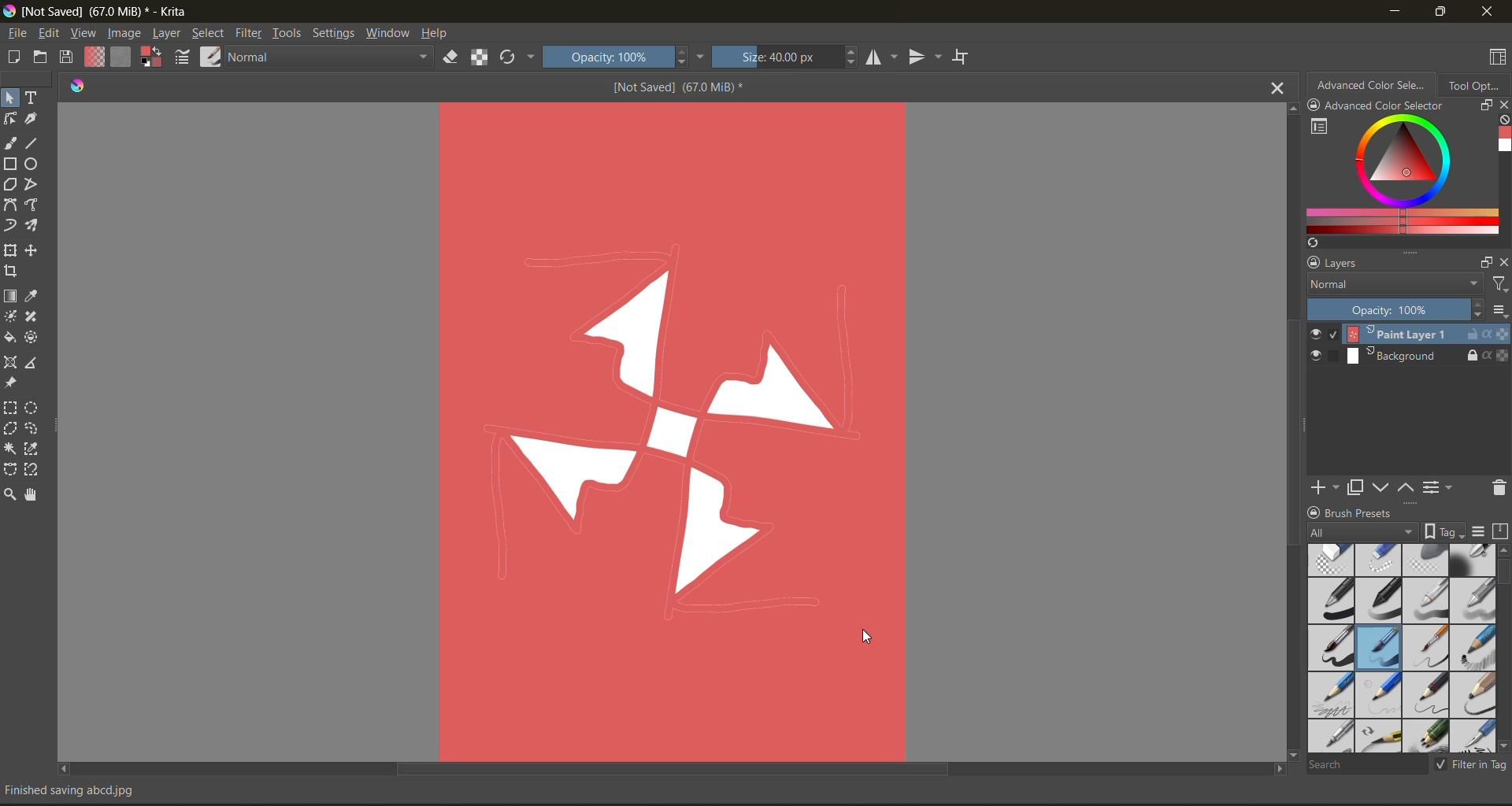  I want to click on background color selector, so click(152, 55).